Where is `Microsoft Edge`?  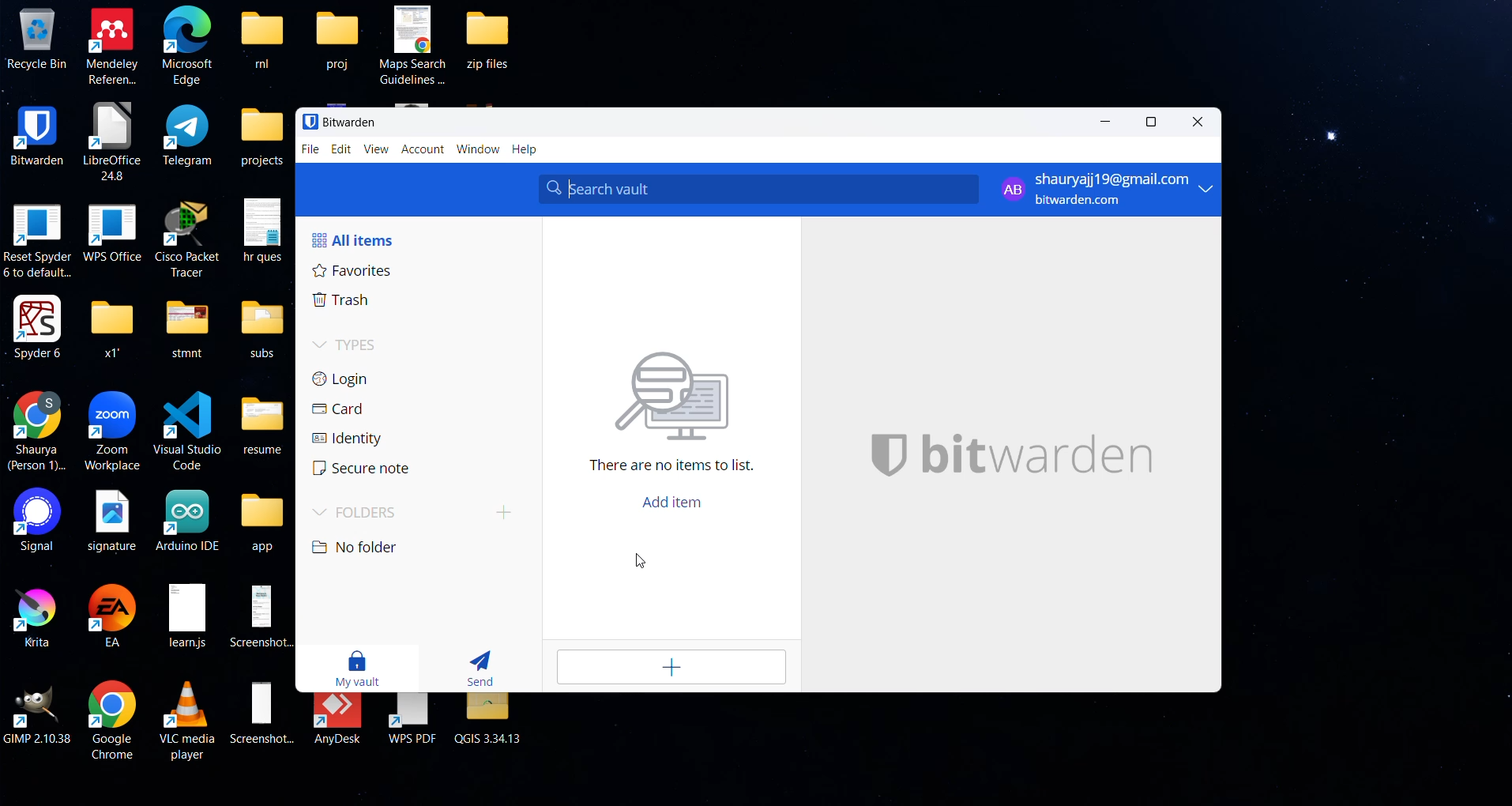
Microsoft Edge is located at coordinates (188, 47).